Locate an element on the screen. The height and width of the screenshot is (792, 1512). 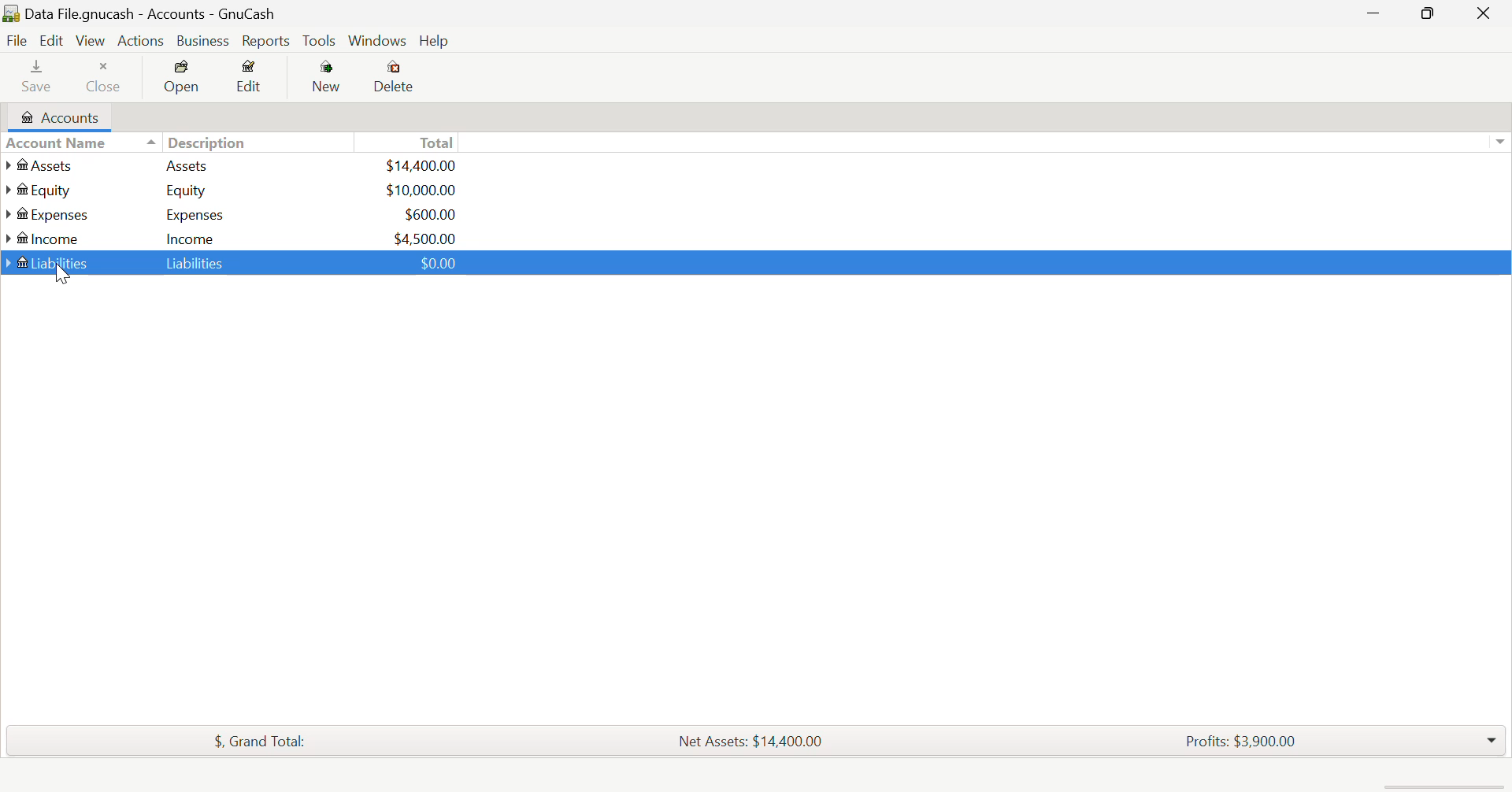
Actions is located at coordinates (139, 41).